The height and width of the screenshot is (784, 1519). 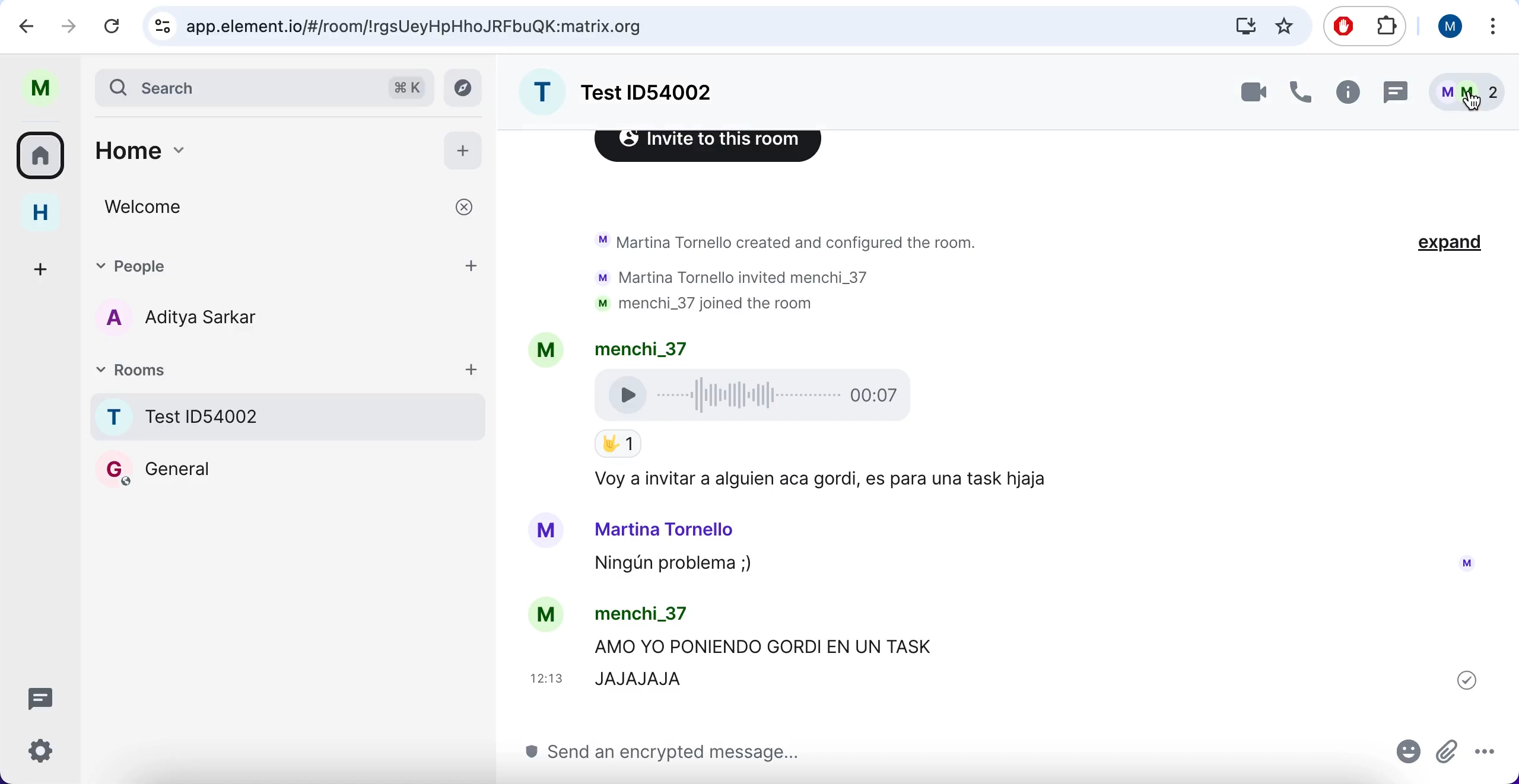 What do you see at coordinates (296, 207) in the screenshot?
I see `welcome` at bounding box center [296, 207].